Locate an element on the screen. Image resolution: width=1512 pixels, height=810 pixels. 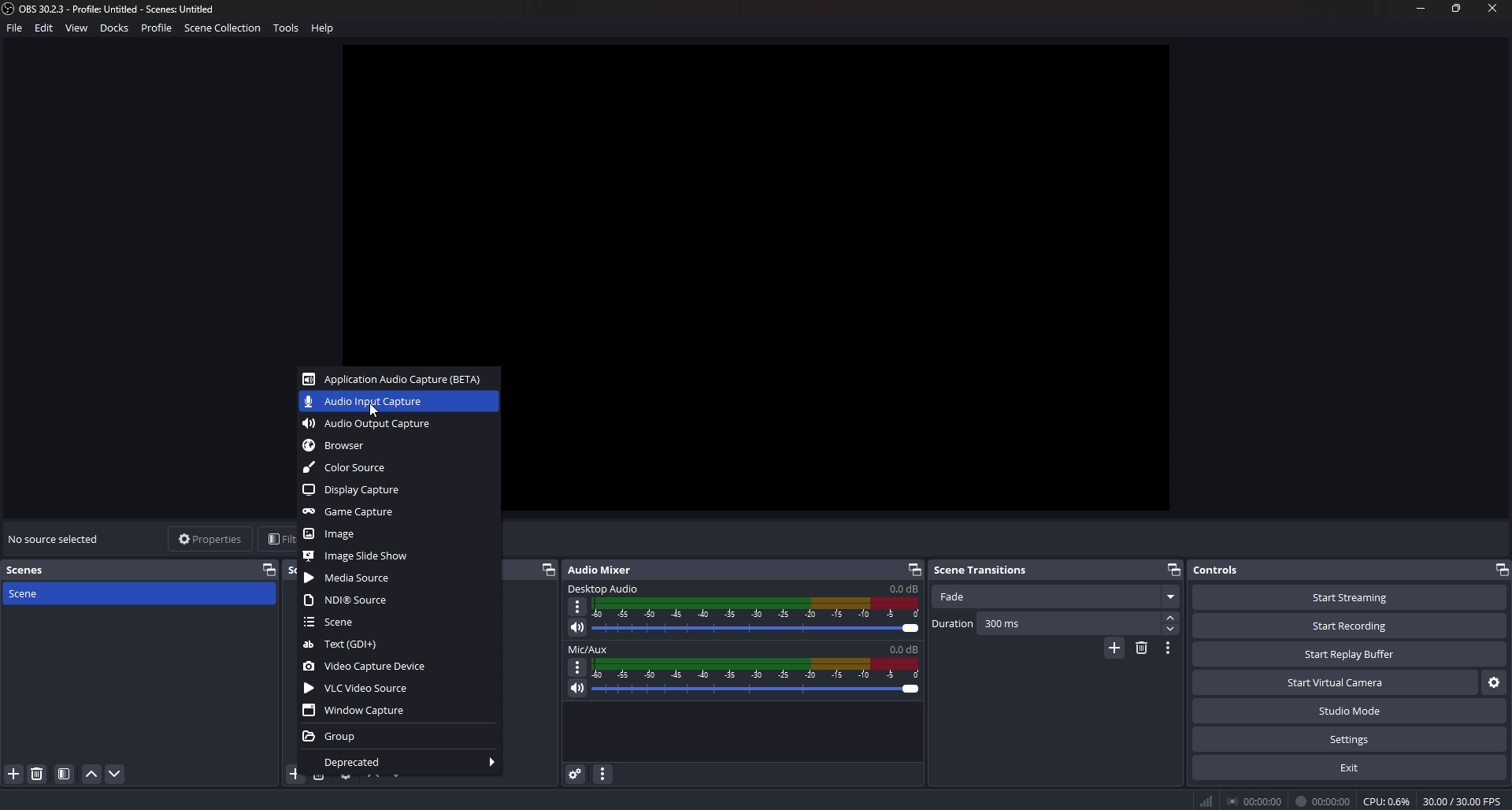
scene Collection is located at coordinates (224, 30).